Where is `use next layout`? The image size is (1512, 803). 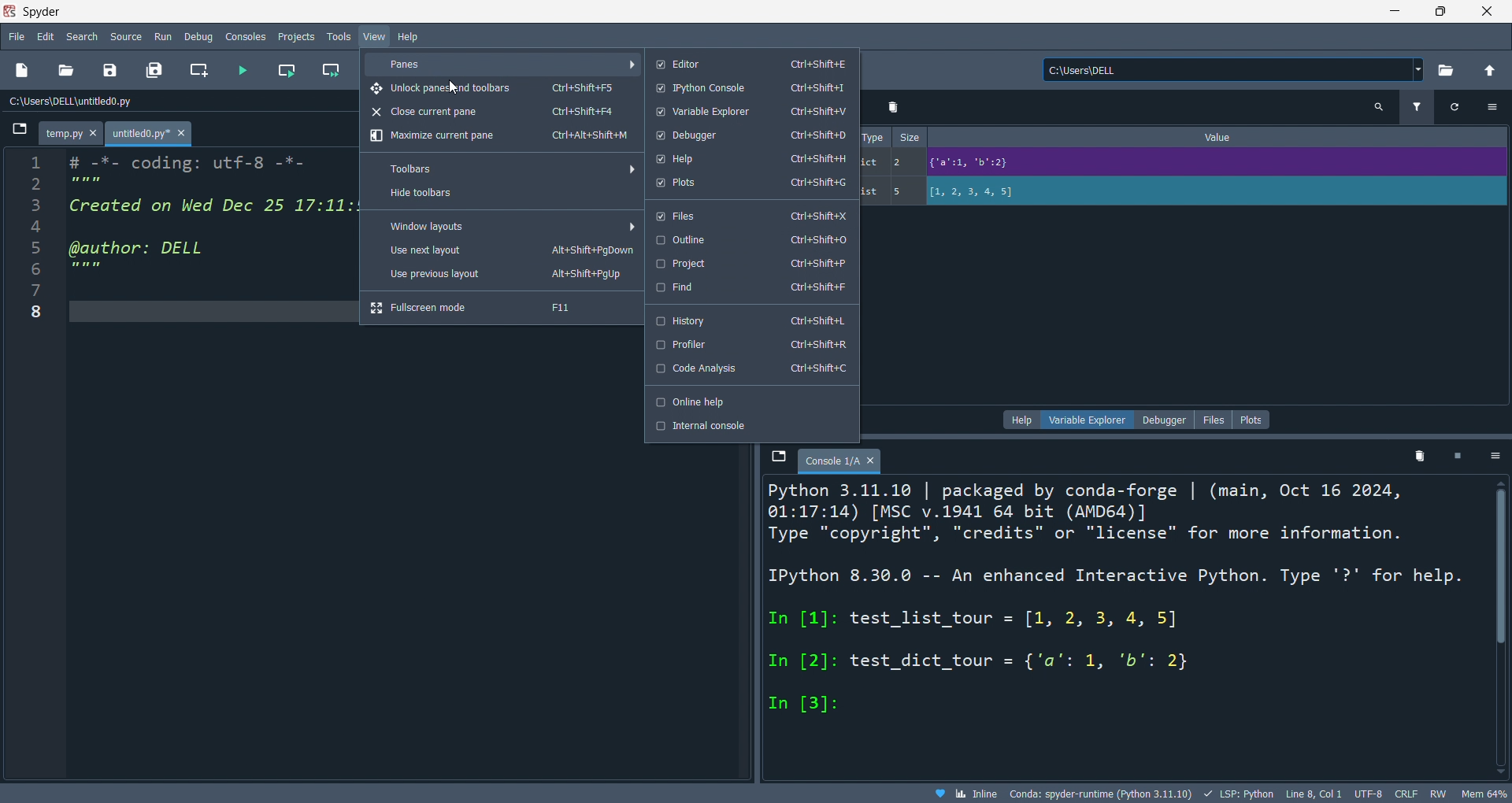
use next layout is located at coordinates (503, 252).